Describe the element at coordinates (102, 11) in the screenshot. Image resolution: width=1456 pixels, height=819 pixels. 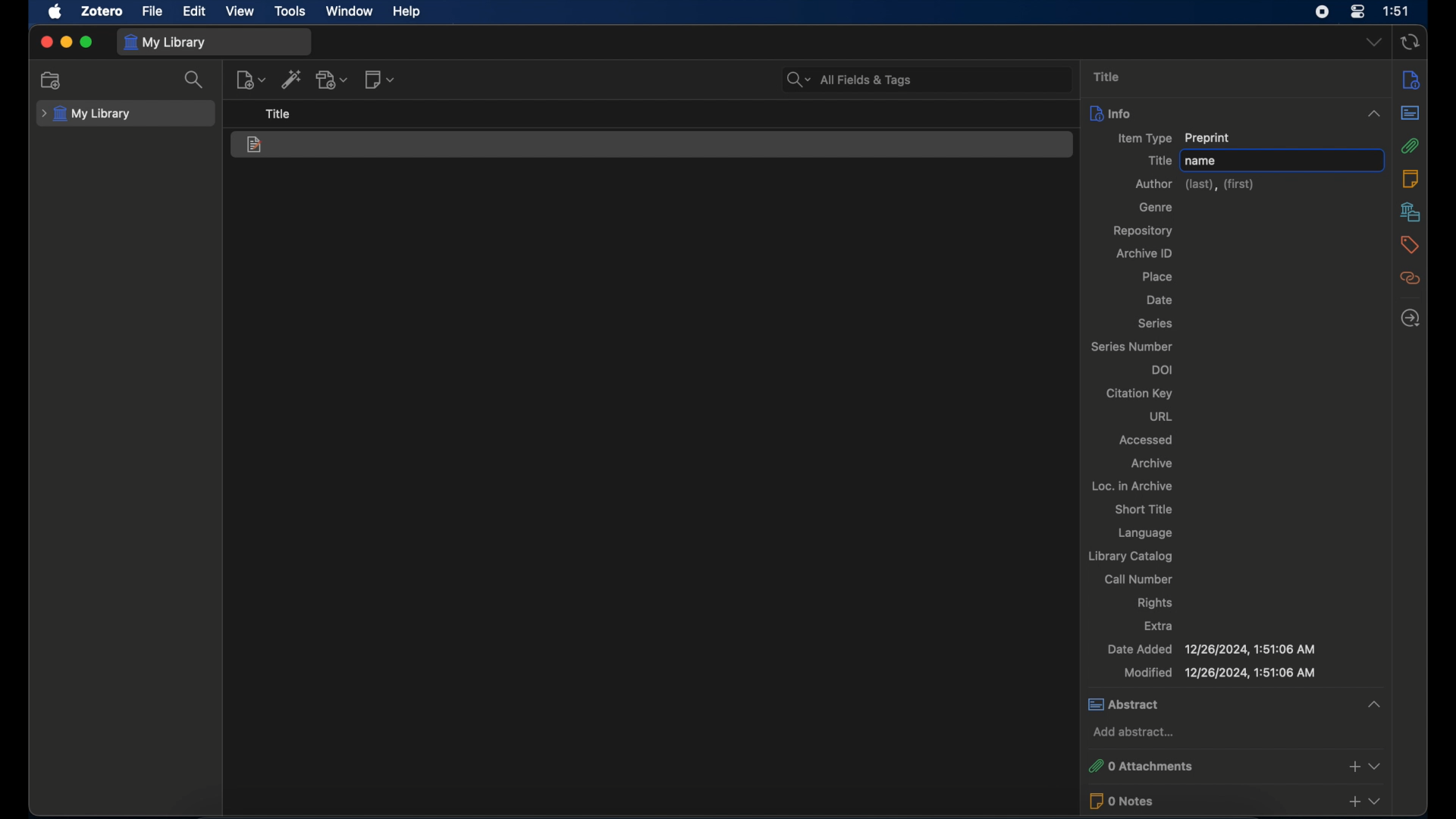
I see `zotero` at that location.